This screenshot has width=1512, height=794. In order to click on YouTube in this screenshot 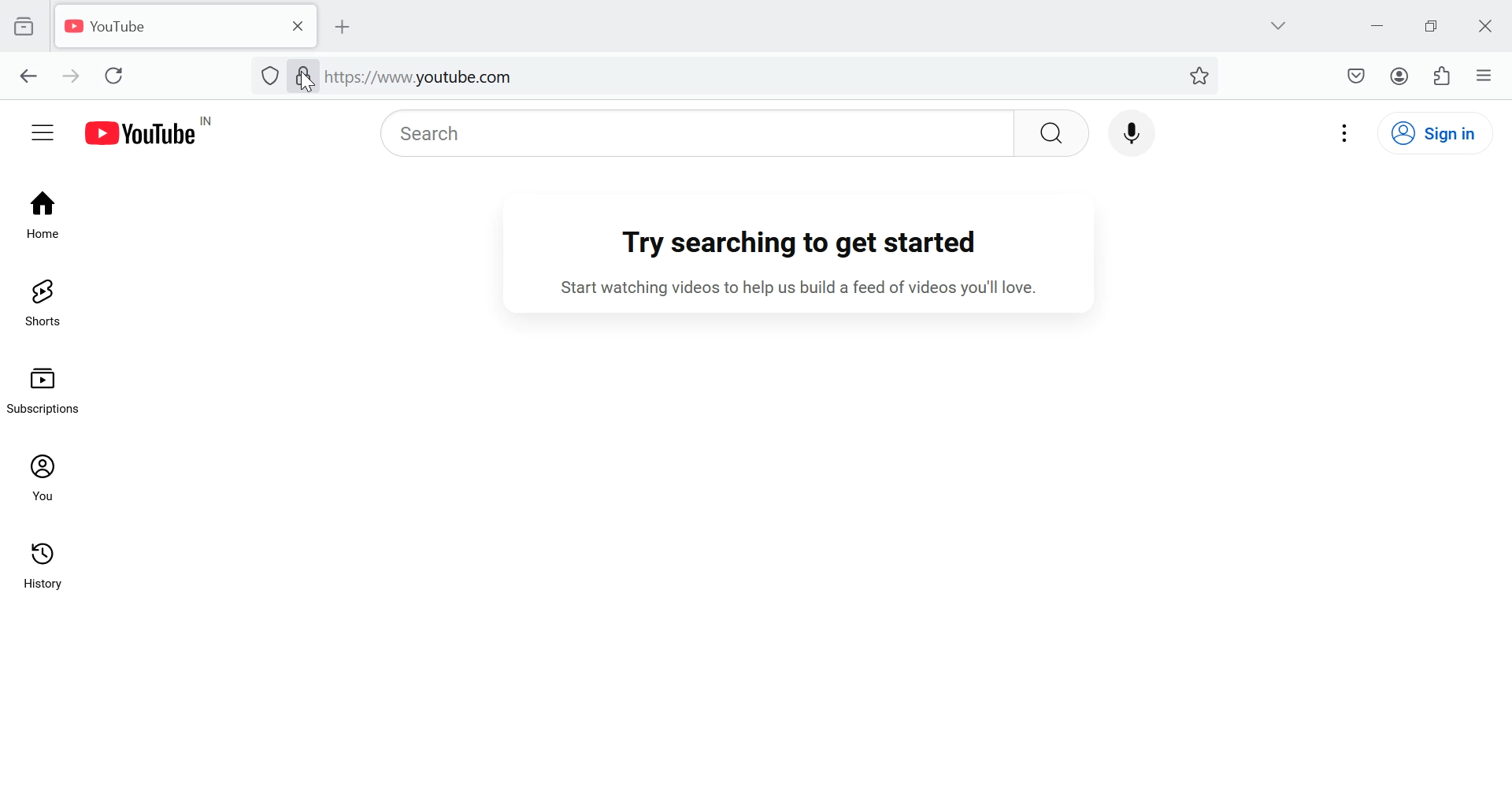, I will do `click(164, 26)`.